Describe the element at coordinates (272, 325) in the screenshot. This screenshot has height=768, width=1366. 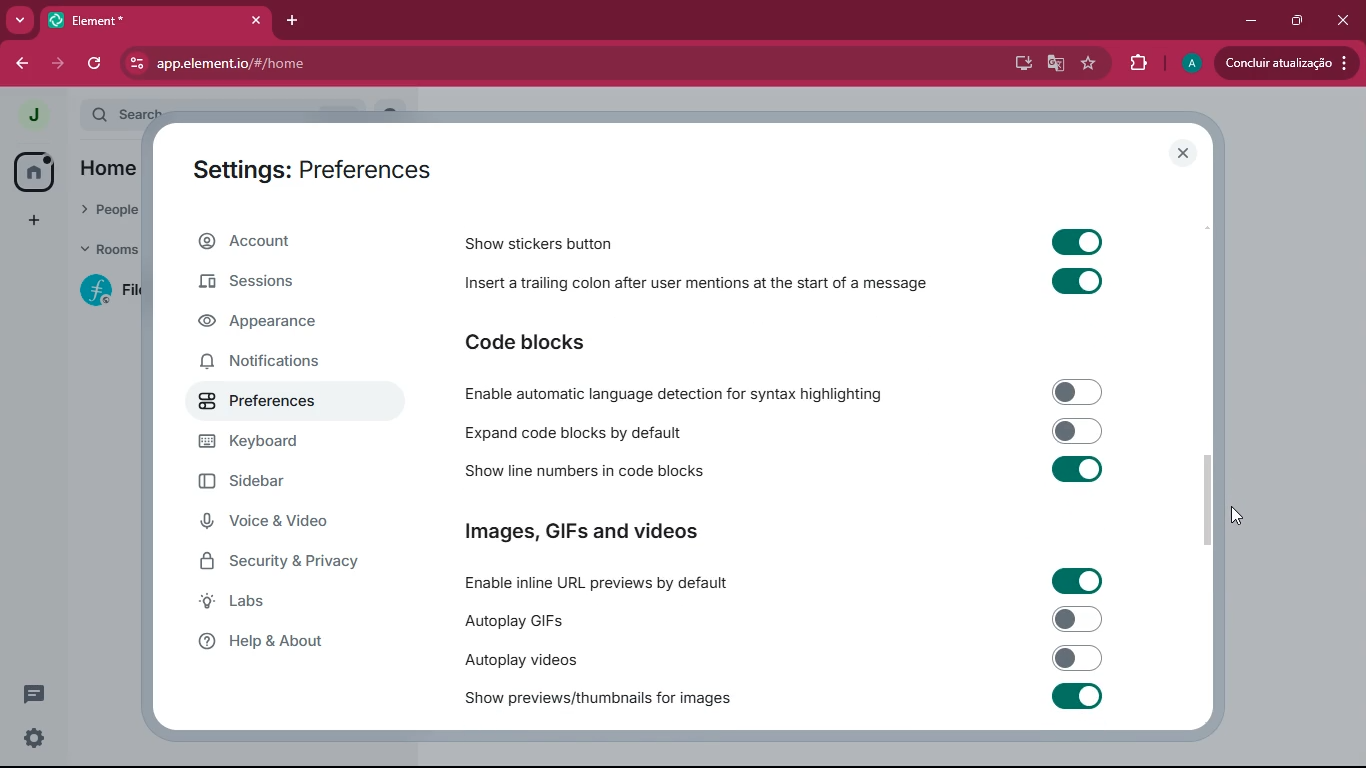
I see `appearance` at that location.